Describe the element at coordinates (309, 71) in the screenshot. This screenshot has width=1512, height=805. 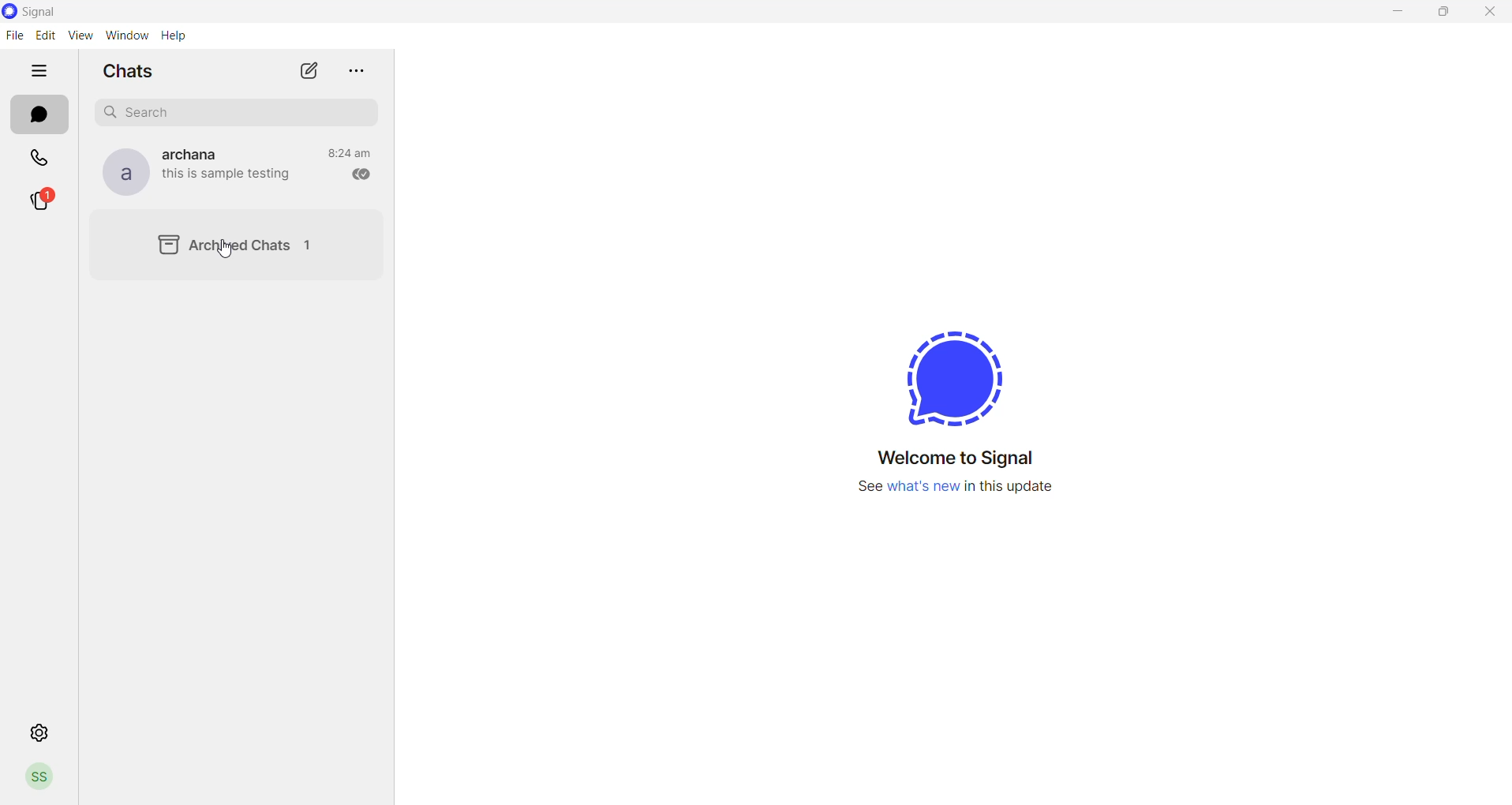
I see `new chats` at that location.